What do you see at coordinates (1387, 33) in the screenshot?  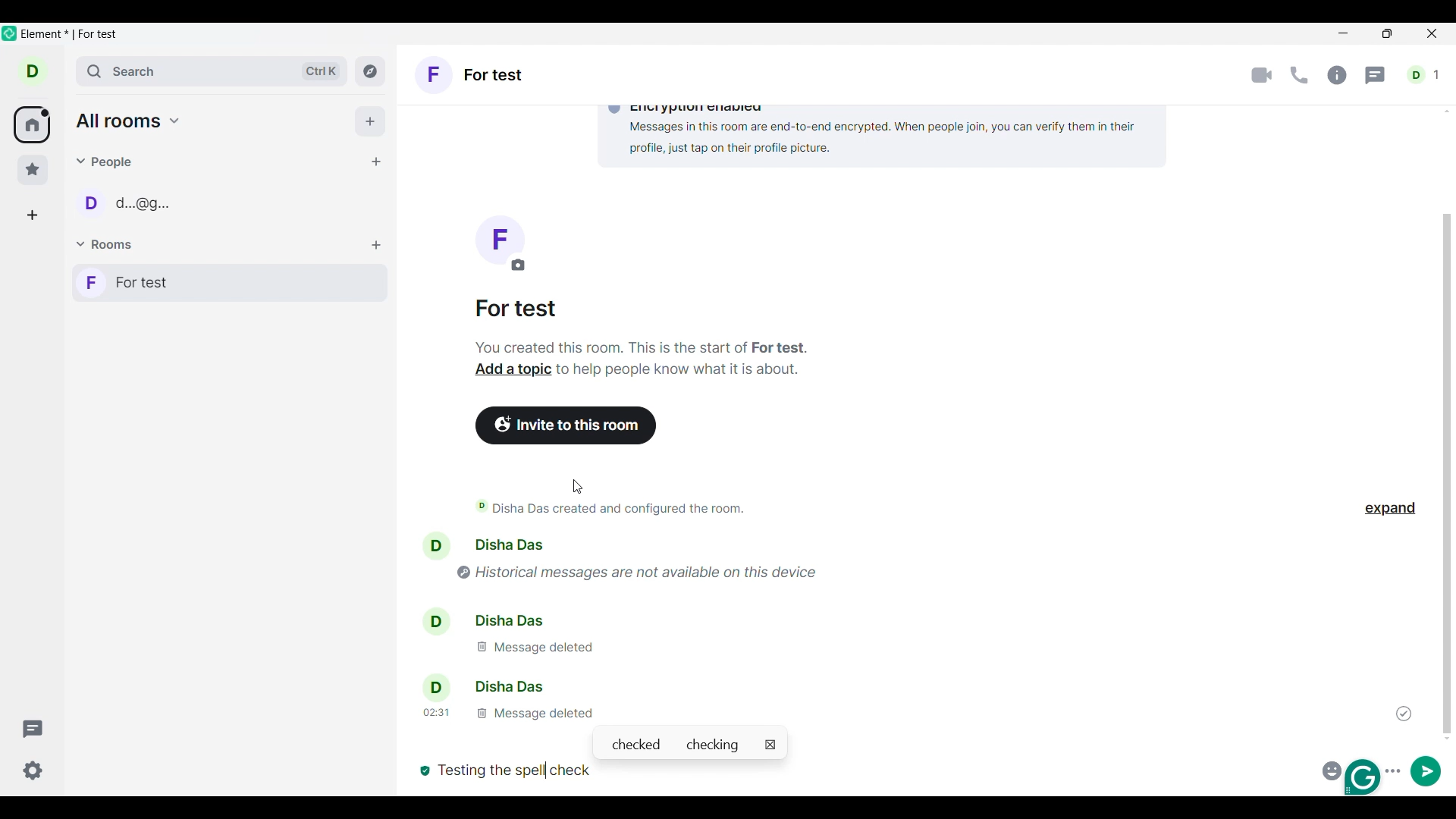 I see `Show in smaller tab` at bounding box center [1387, 33].